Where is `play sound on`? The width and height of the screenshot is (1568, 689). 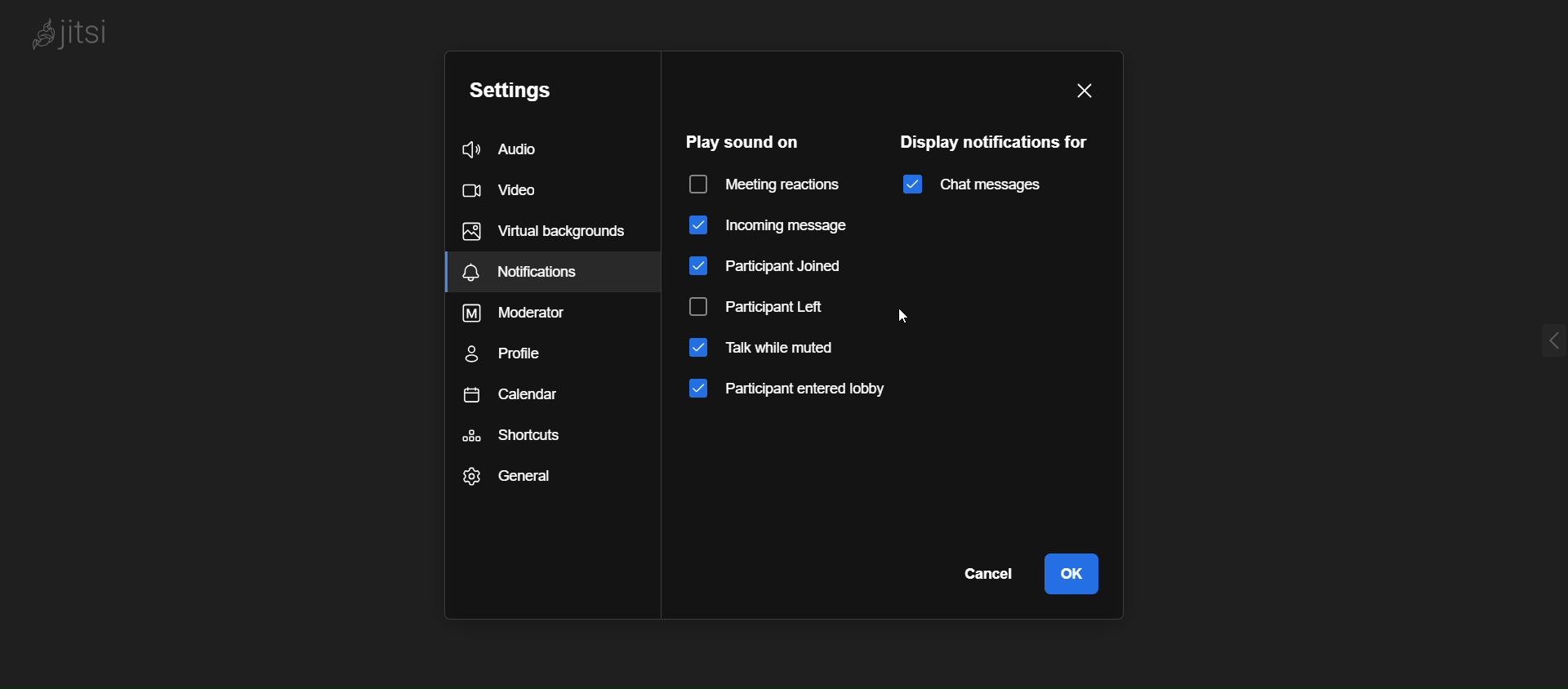
play sound on is located at coordinates (743, 142).